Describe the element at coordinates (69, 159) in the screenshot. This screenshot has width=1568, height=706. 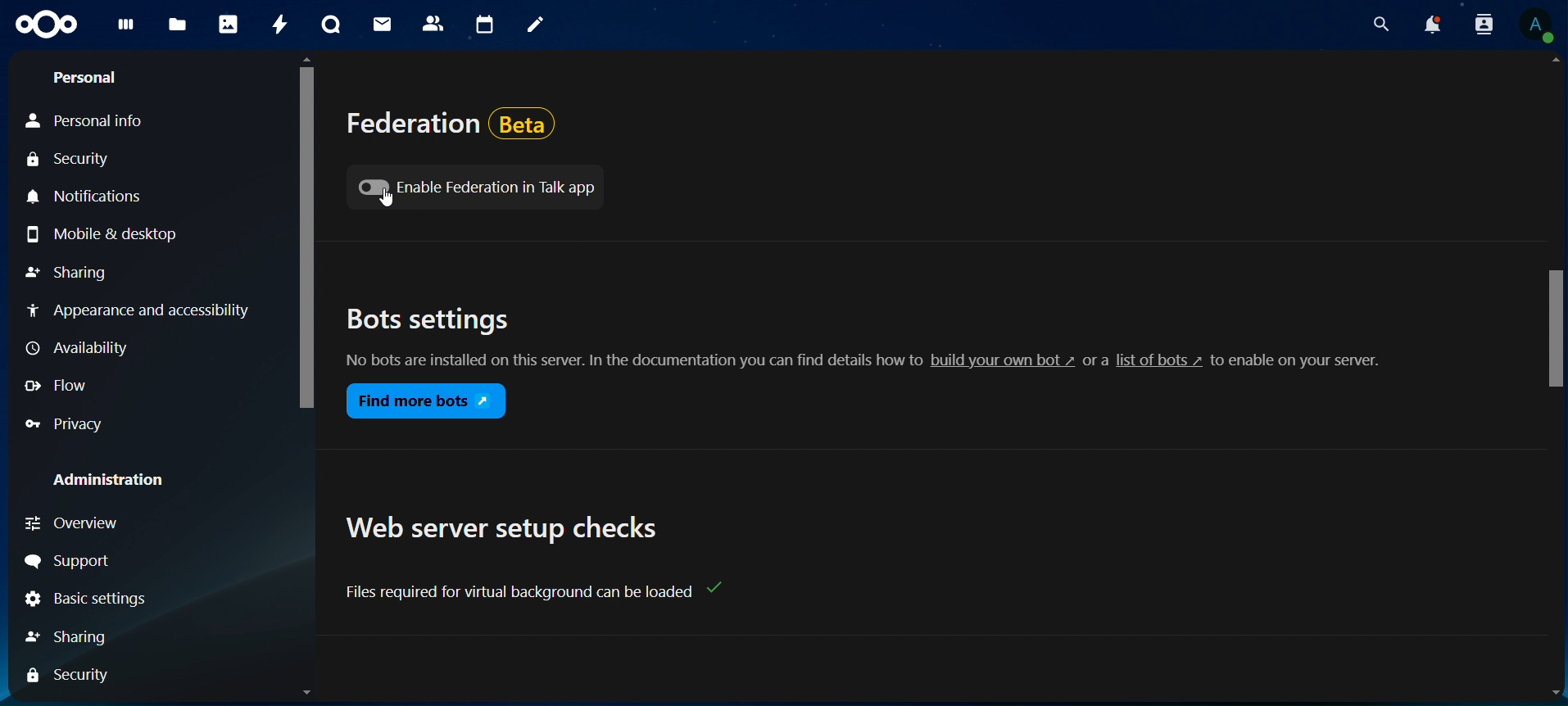
I see `Security` at that location.